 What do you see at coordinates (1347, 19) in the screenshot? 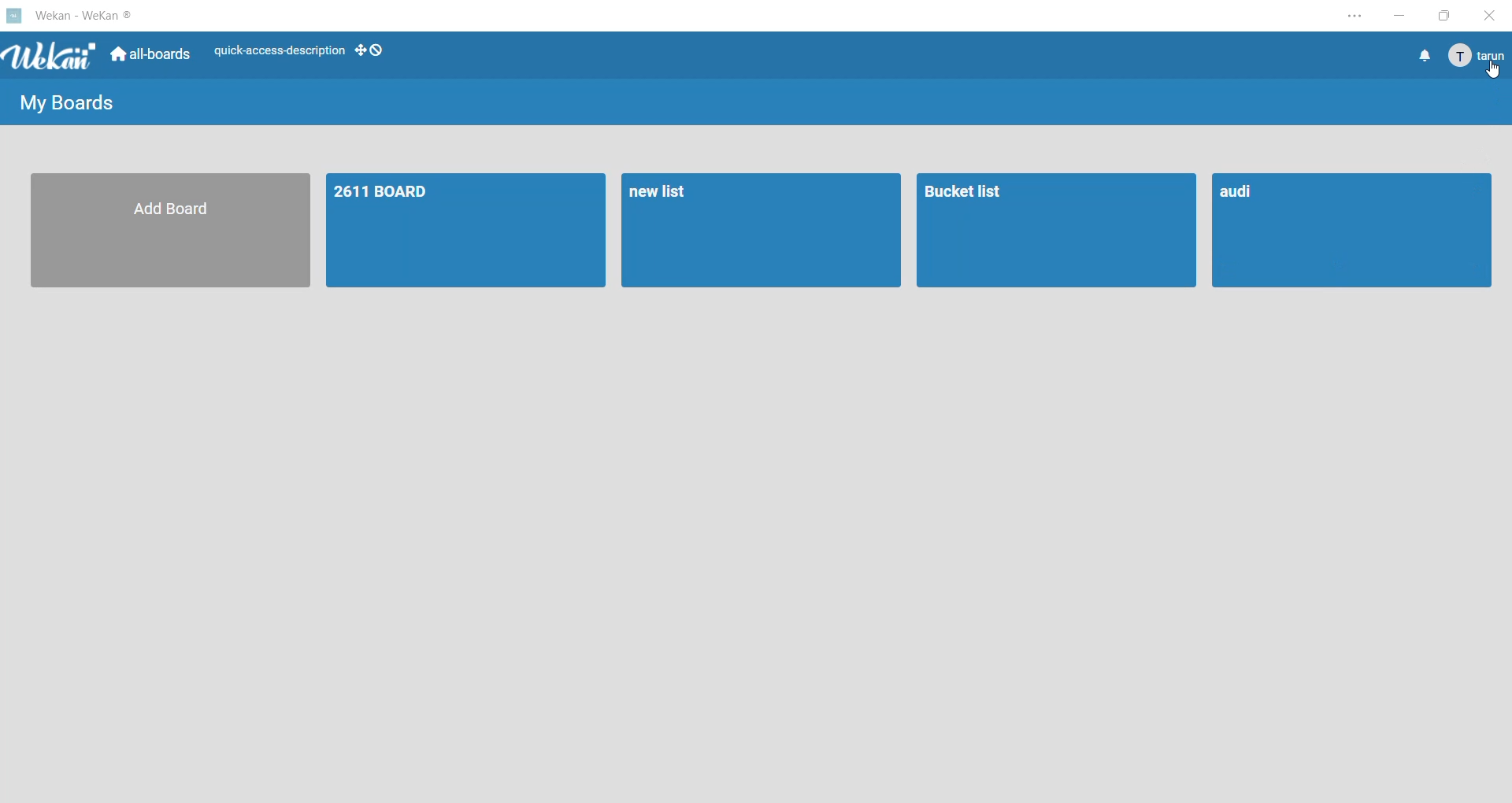
I see `options` at bounding box center [1347, 19].